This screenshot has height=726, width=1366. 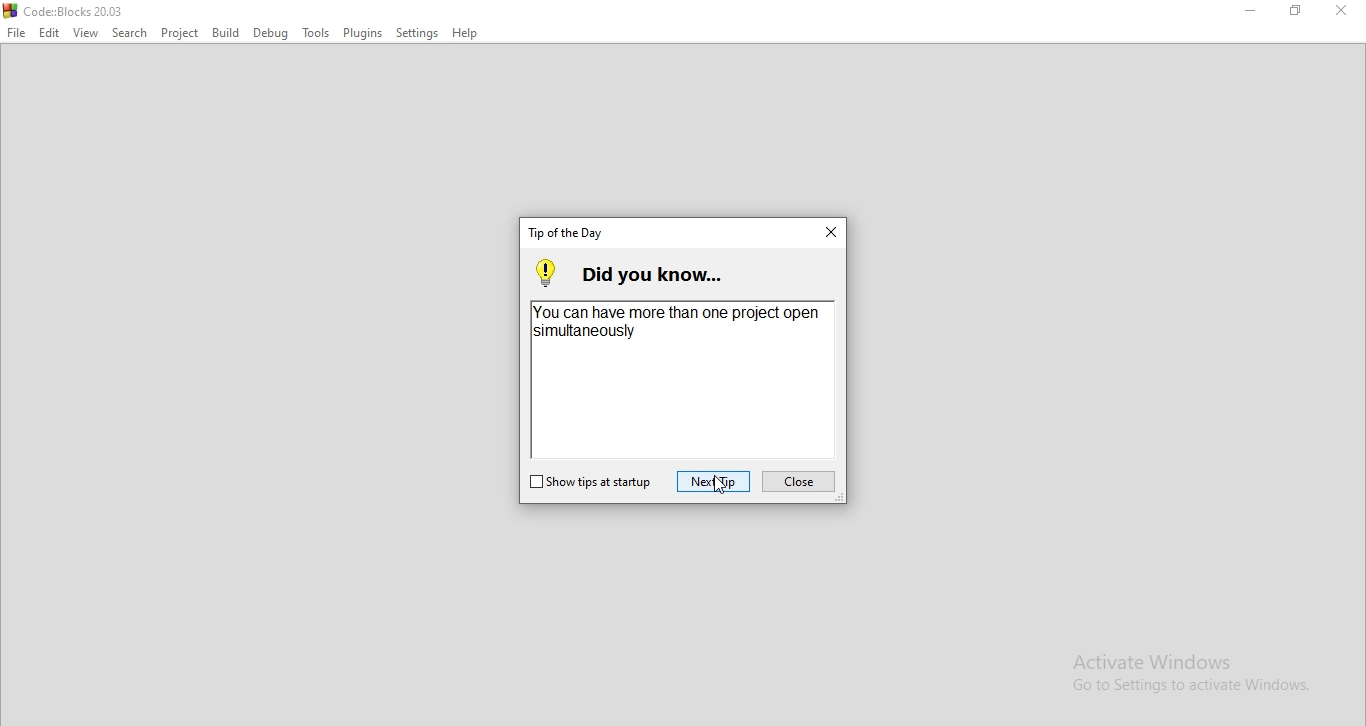 I want to click on Minimise, so click(x=1248, y=12).